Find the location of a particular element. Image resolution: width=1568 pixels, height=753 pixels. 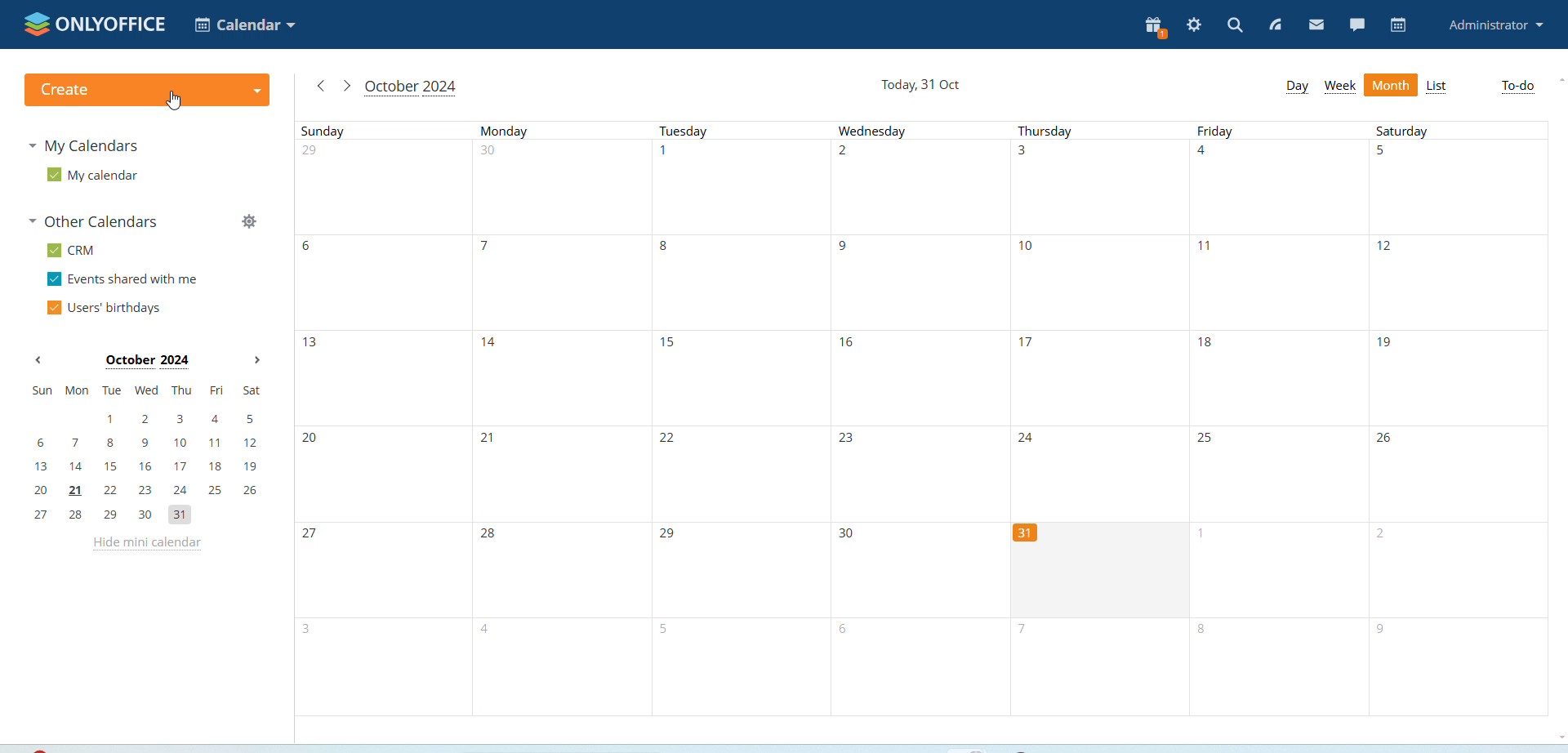

Thursdays is located at coordinates (1098, 321).